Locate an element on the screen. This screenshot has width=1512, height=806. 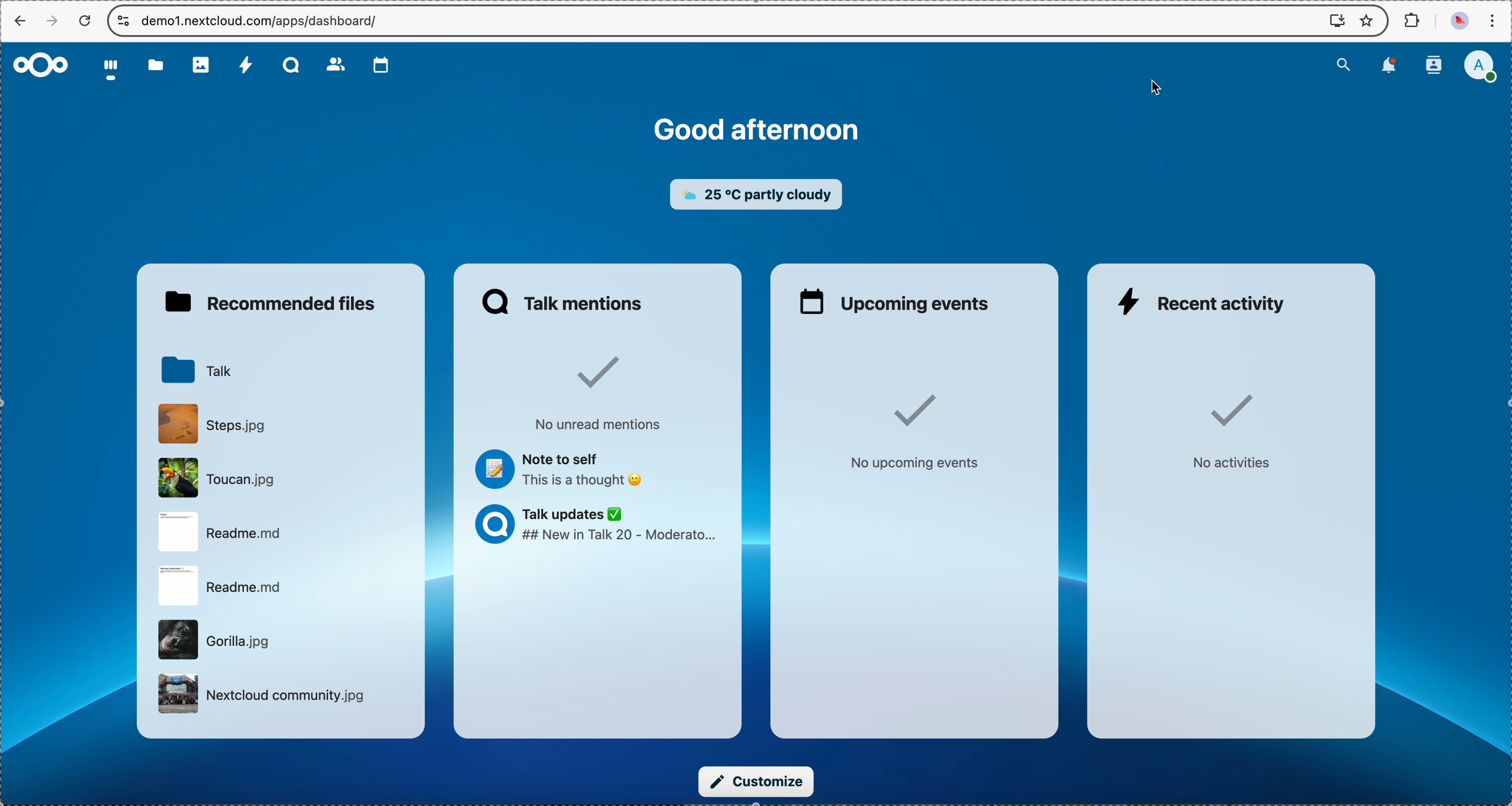
no activities is located at coordinates (1240, 432).